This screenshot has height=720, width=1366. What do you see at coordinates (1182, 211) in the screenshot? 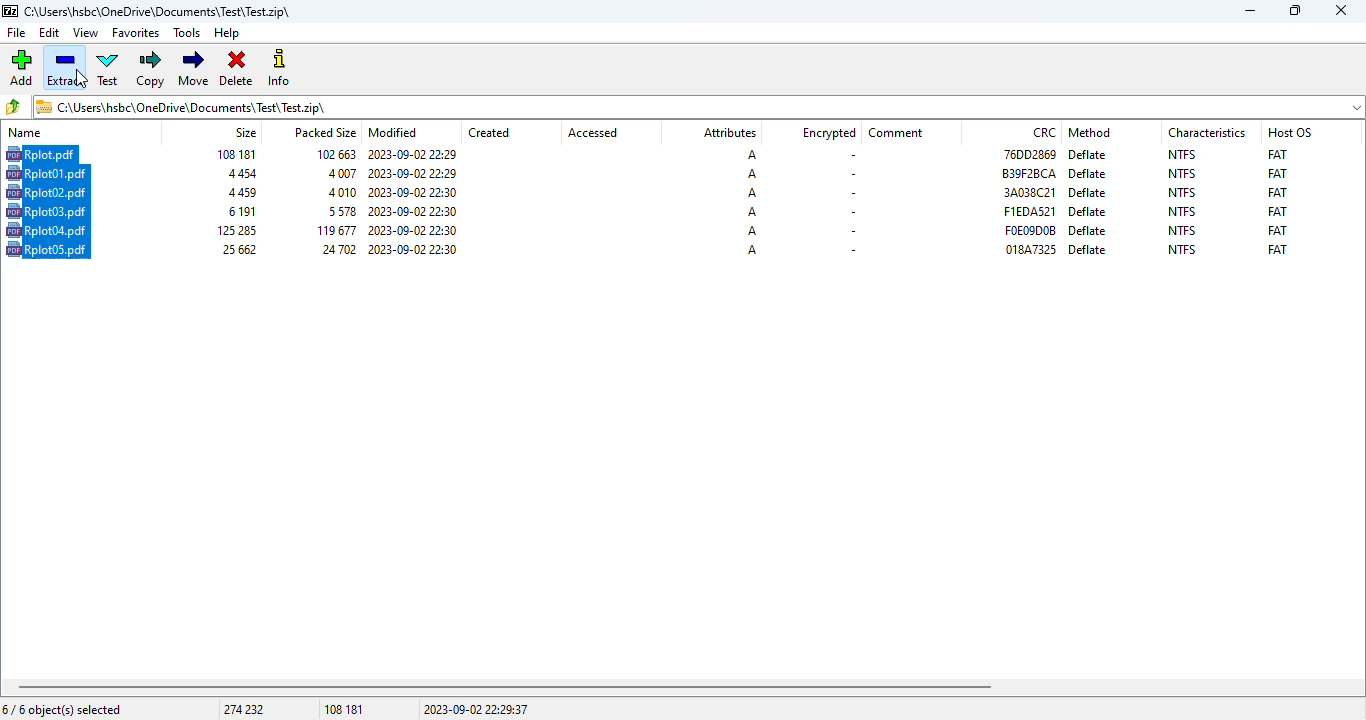
I see `NTFS` at bounding box center [1182, 211].